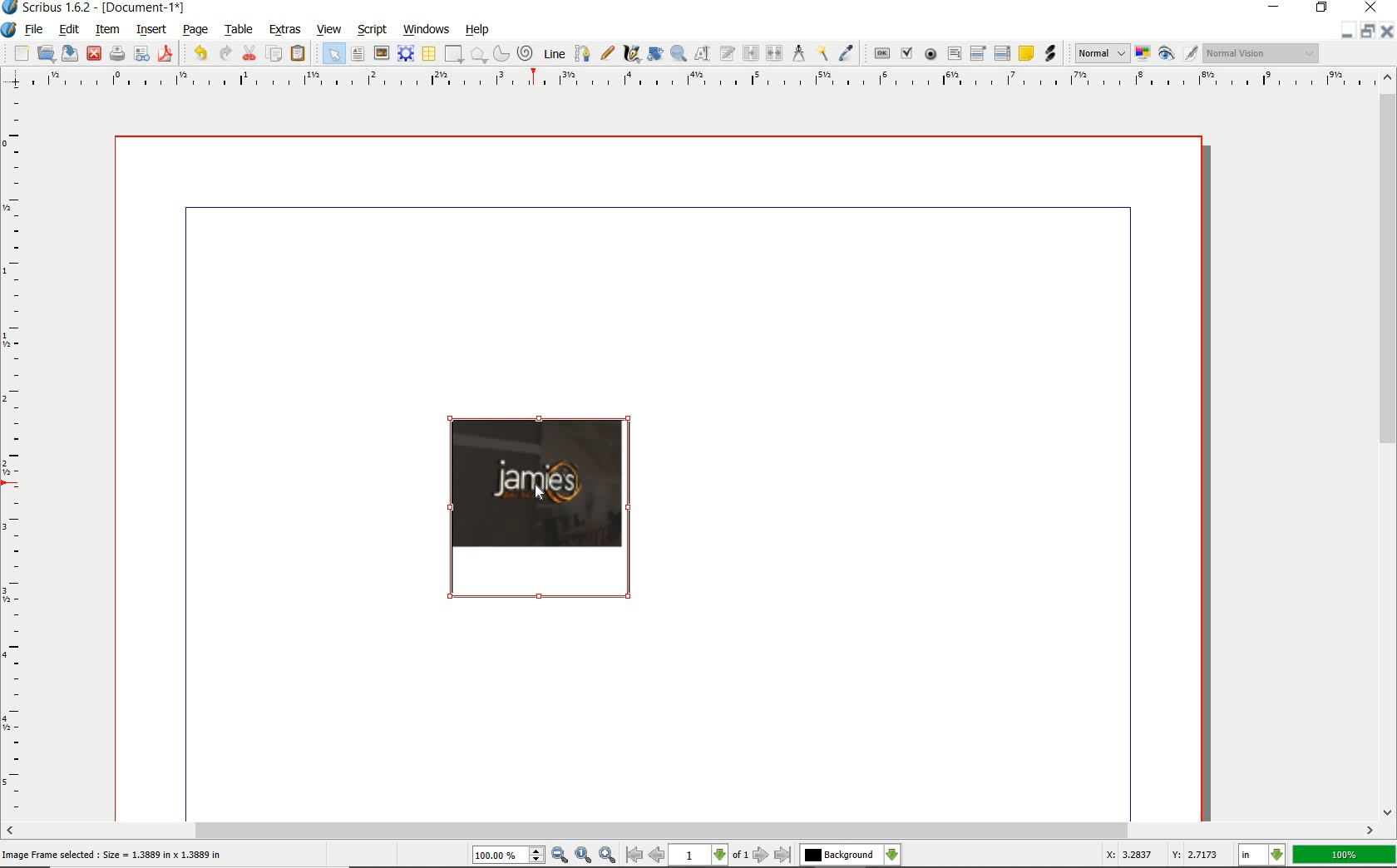 This screenshot has height=868, width=1397. Describe the element at coordinates (108, 28) in the screenshot. I see `item` at that location.